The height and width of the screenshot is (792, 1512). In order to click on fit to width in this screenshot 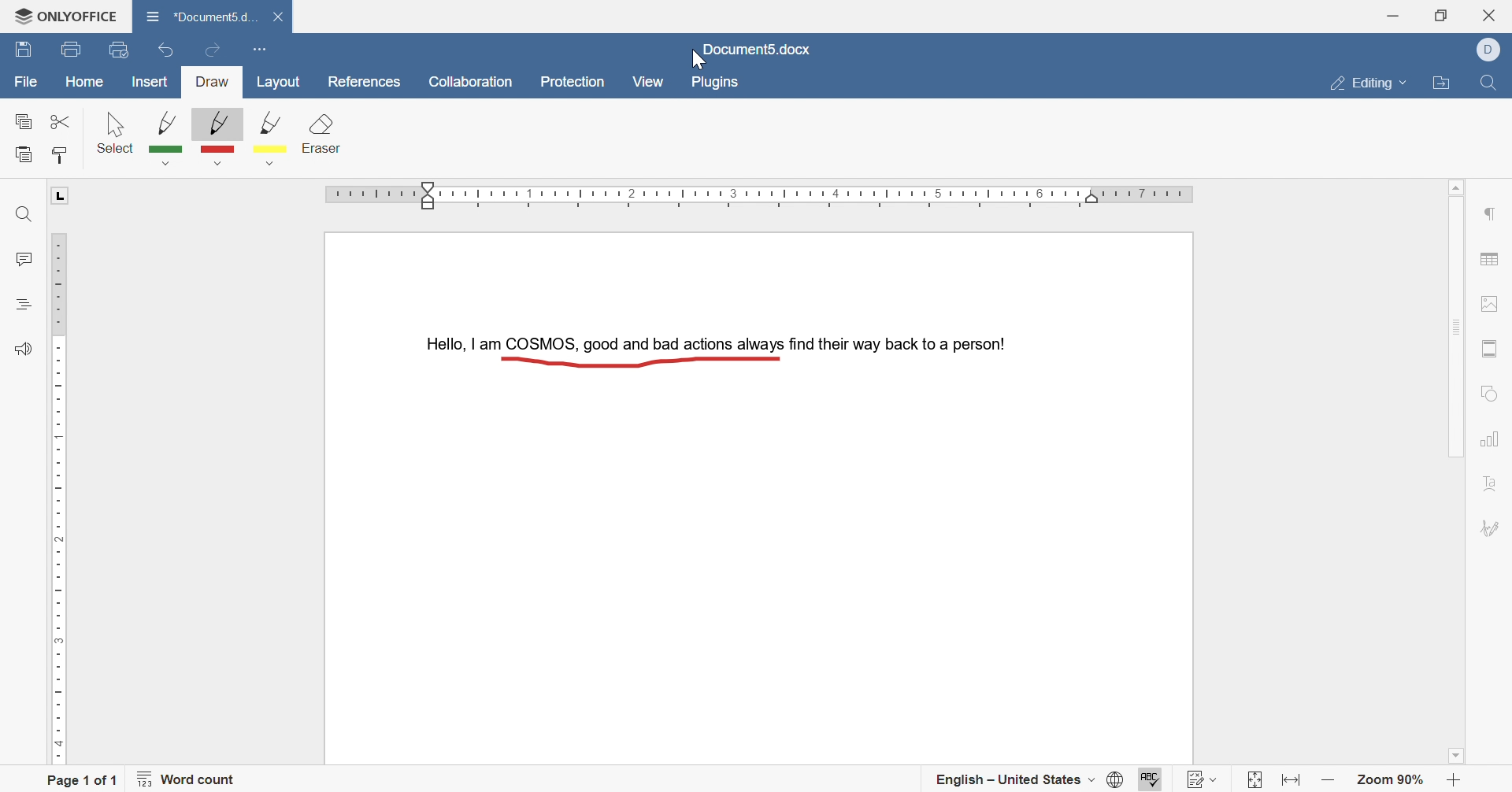, I will do `click(1293, 783)`.